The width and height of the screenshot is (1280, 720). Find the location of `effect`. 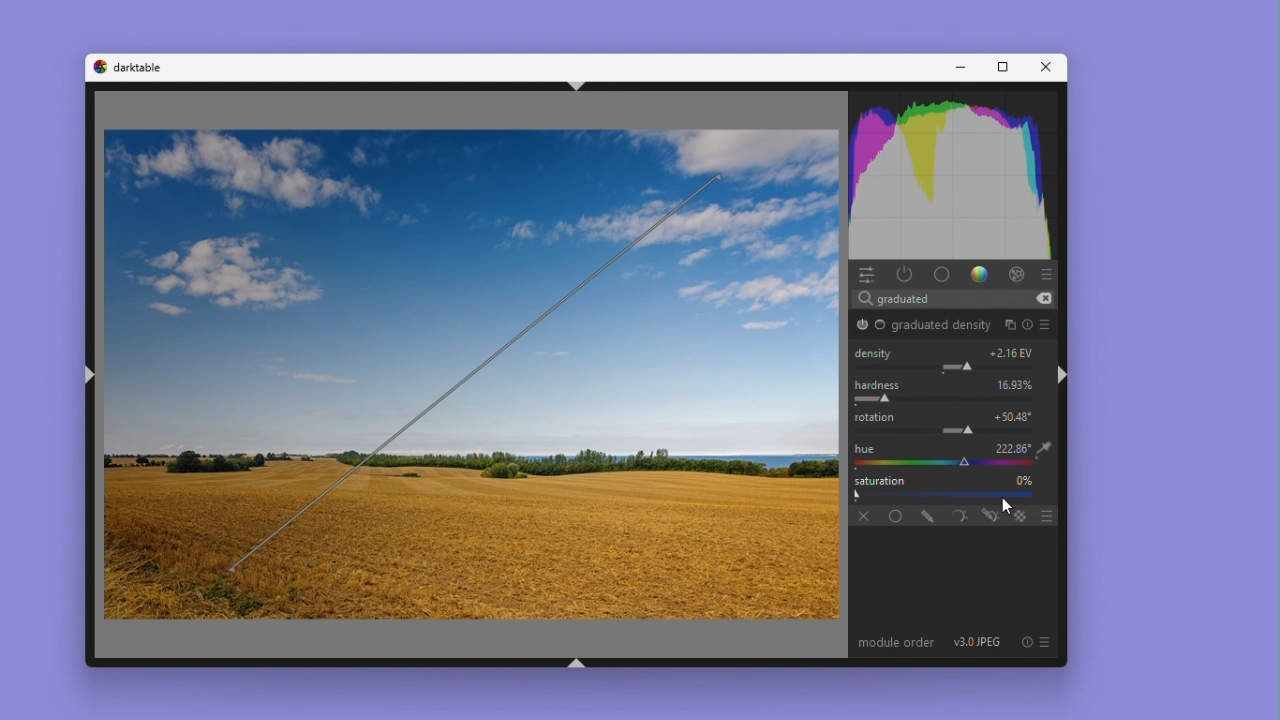

effect is located at coordinates (1016, 273).